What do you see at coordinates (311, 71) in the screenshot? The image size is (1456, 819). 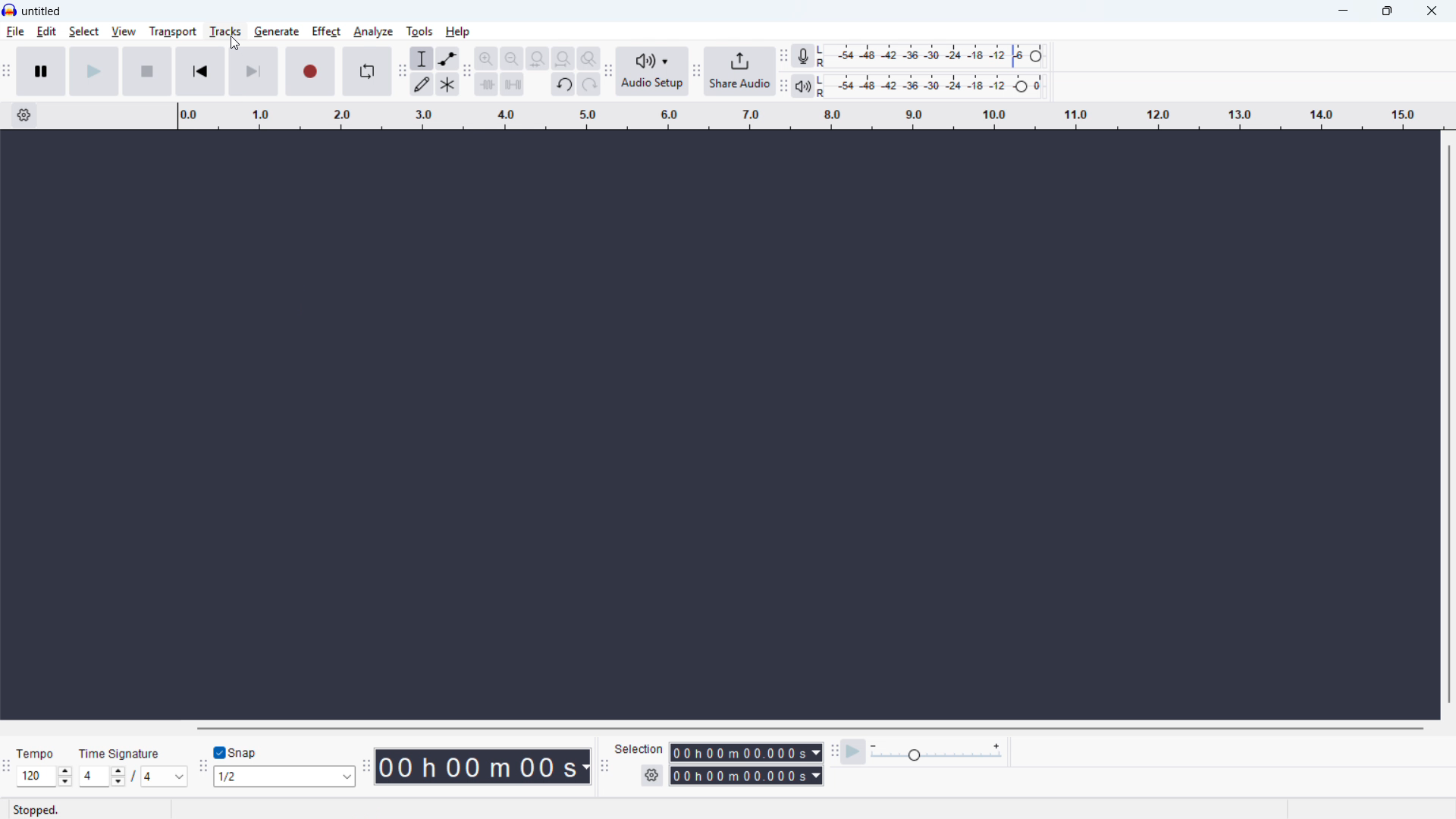 I see `Record ` at bounding box center [311, 71].